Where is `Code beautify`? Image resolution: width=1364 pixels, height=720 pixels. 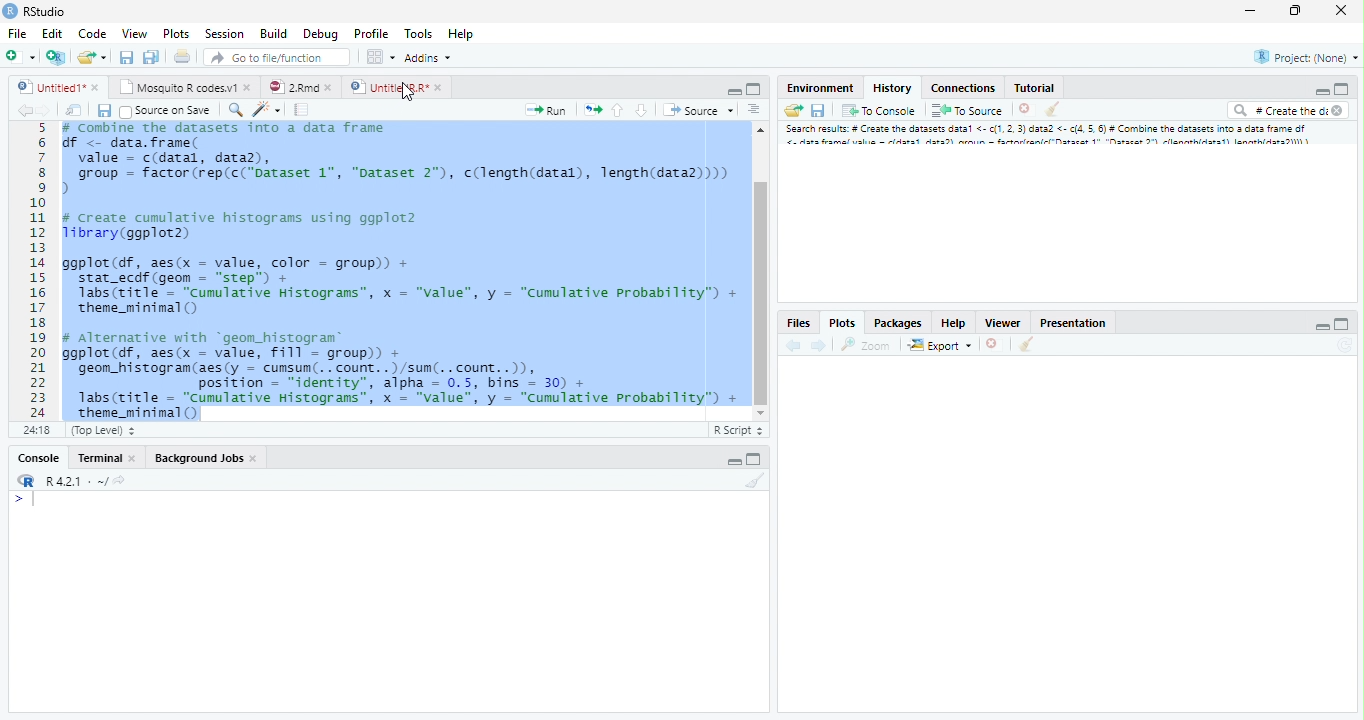 Code beautify is located at coordinates (269, 110).